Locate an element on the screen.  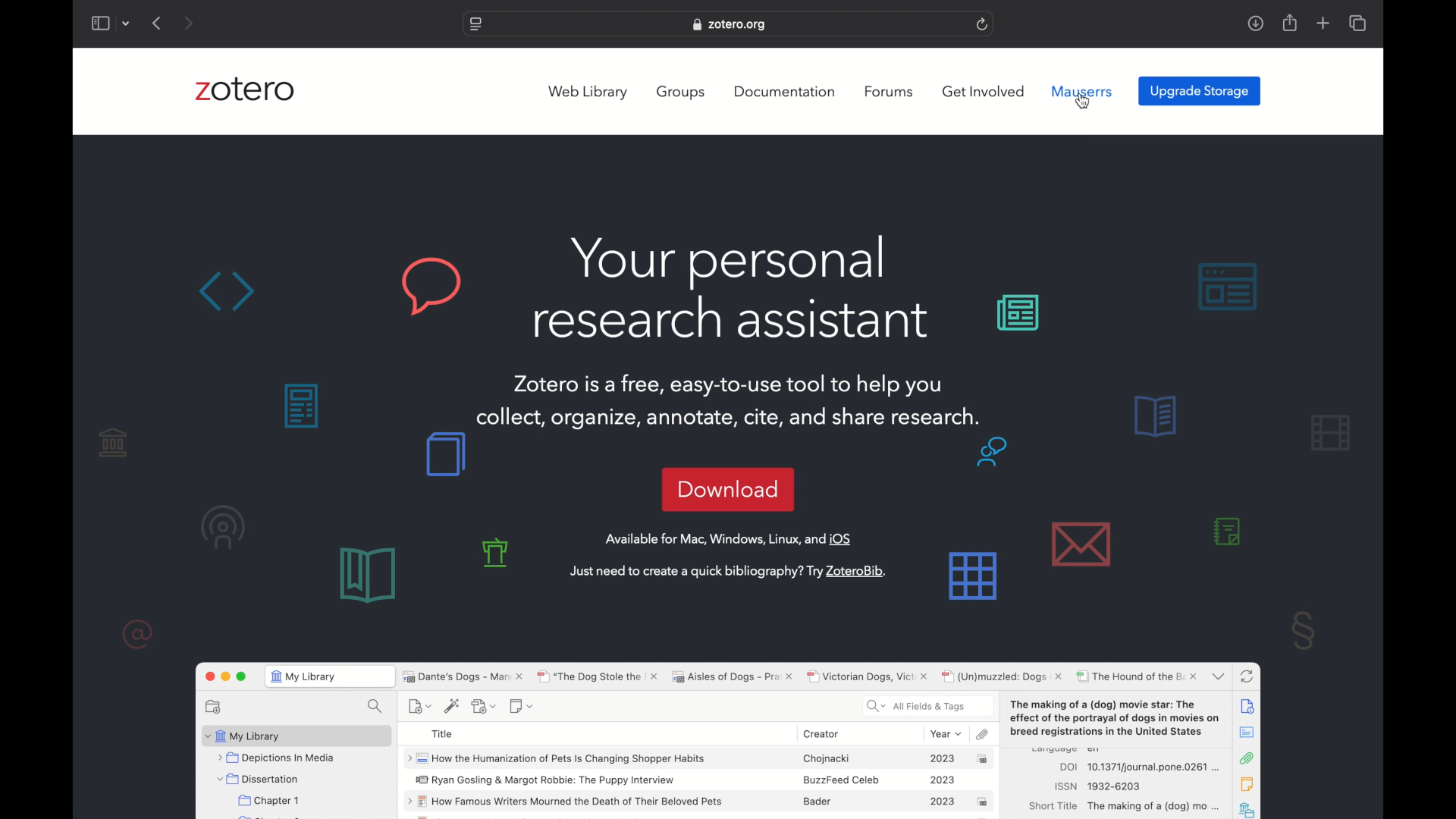
background graphics is located at coordinates (303, 406).